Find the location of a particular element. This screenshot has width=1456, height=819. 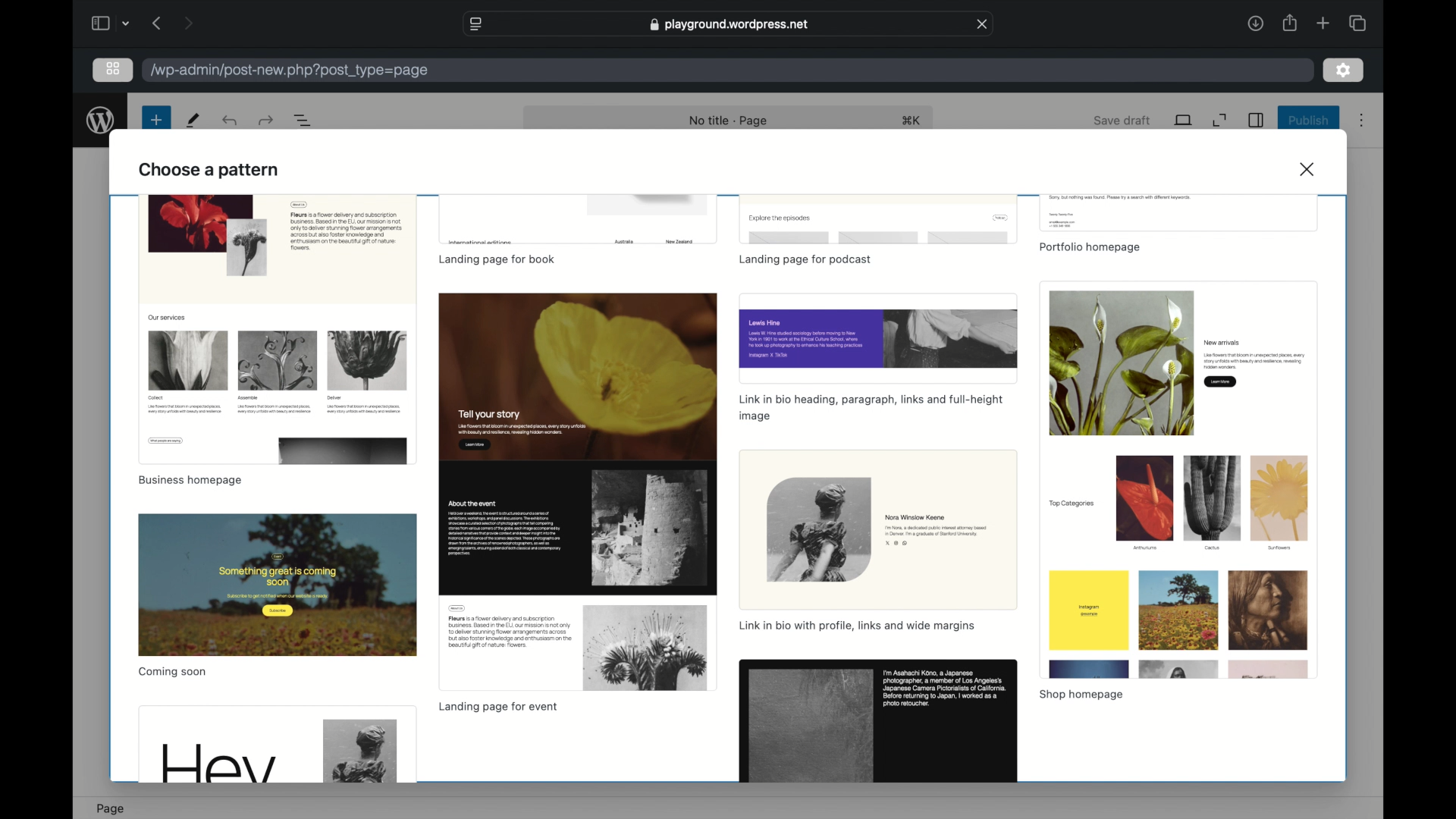

sidebar is located at coordinates (99, 23).